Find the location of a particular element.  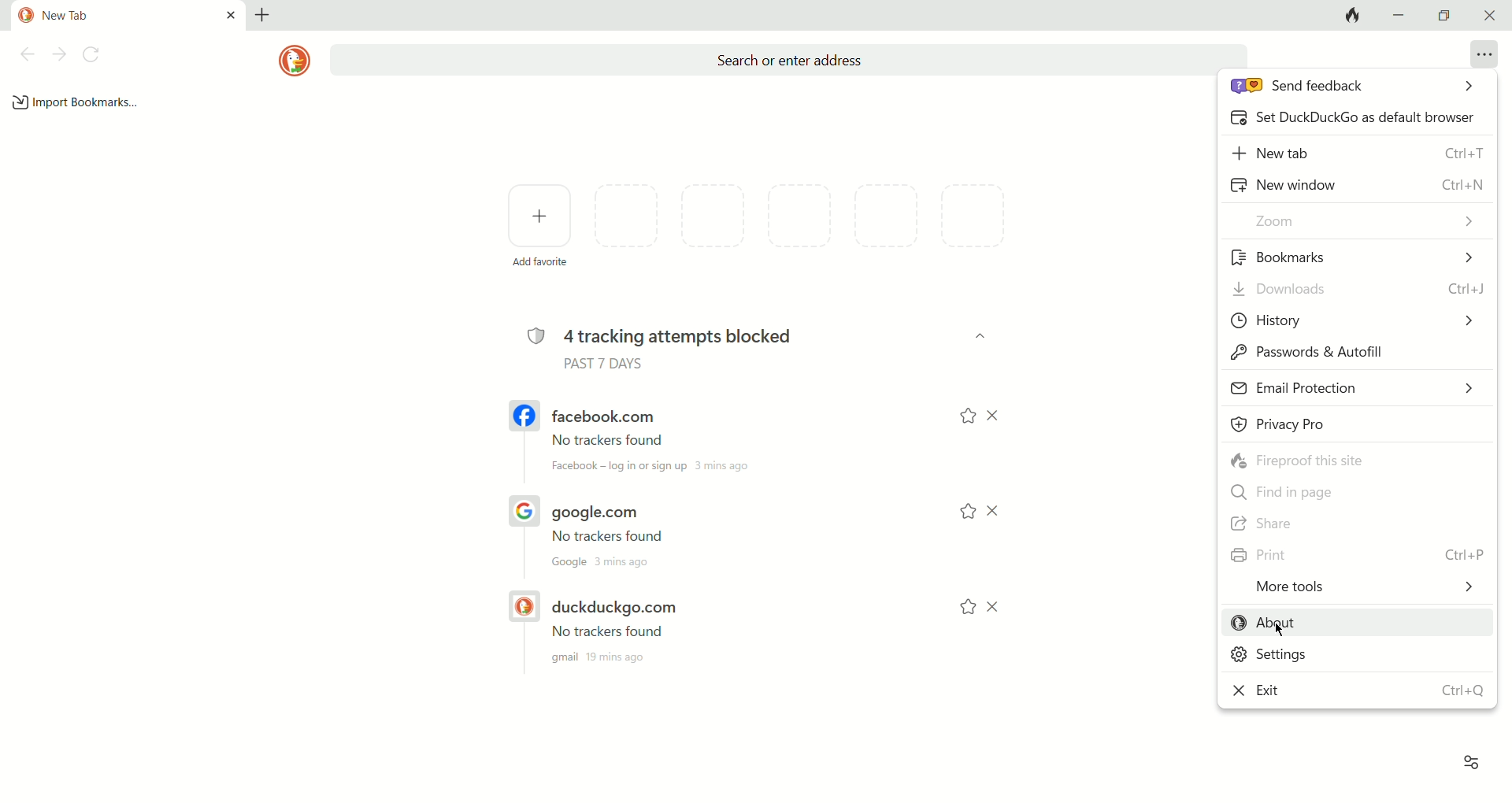

bookmarks is located at coordinates (1354, 257).